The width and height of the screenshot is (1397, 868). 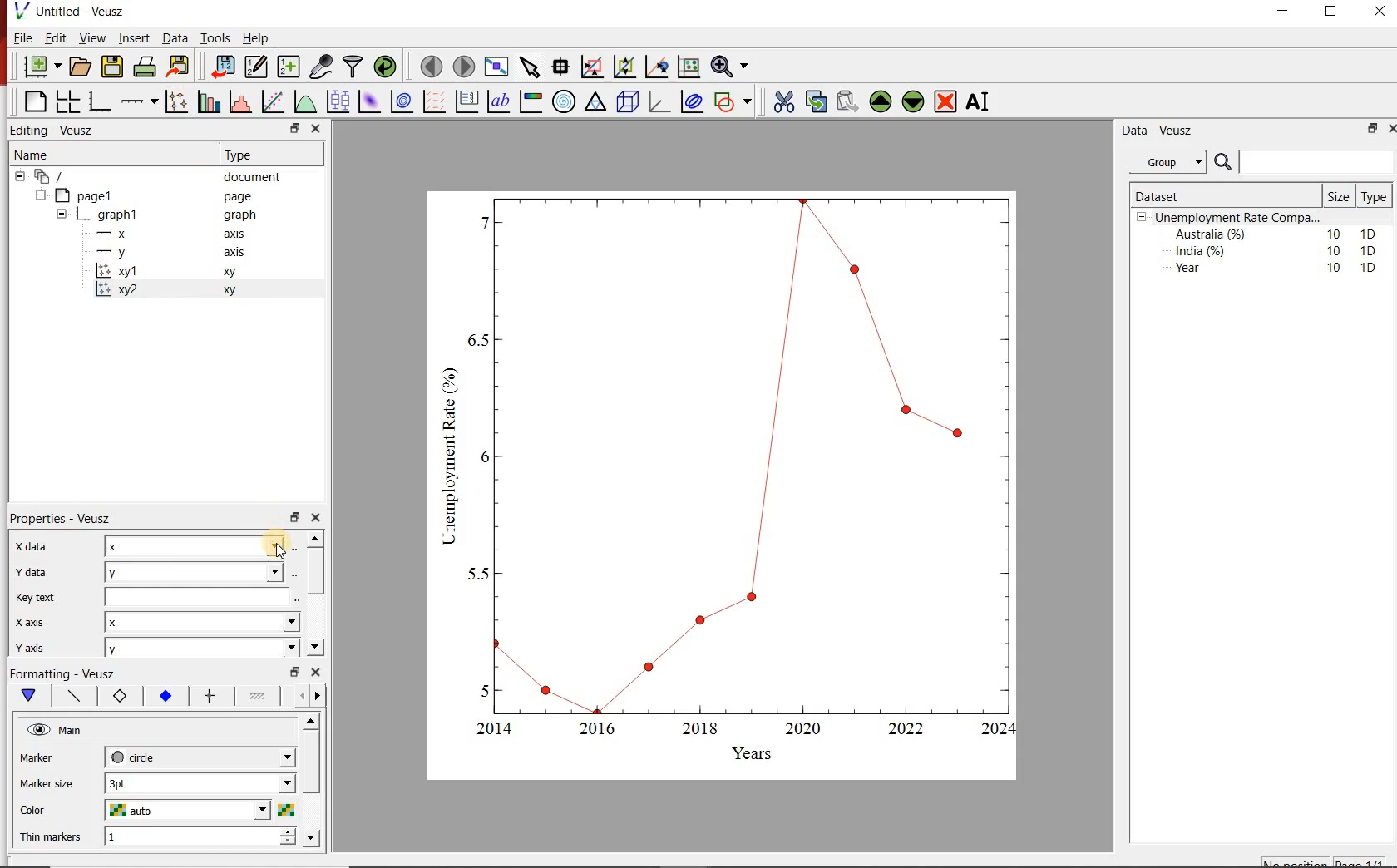 I want to click on x, so click(x=197, y=545).